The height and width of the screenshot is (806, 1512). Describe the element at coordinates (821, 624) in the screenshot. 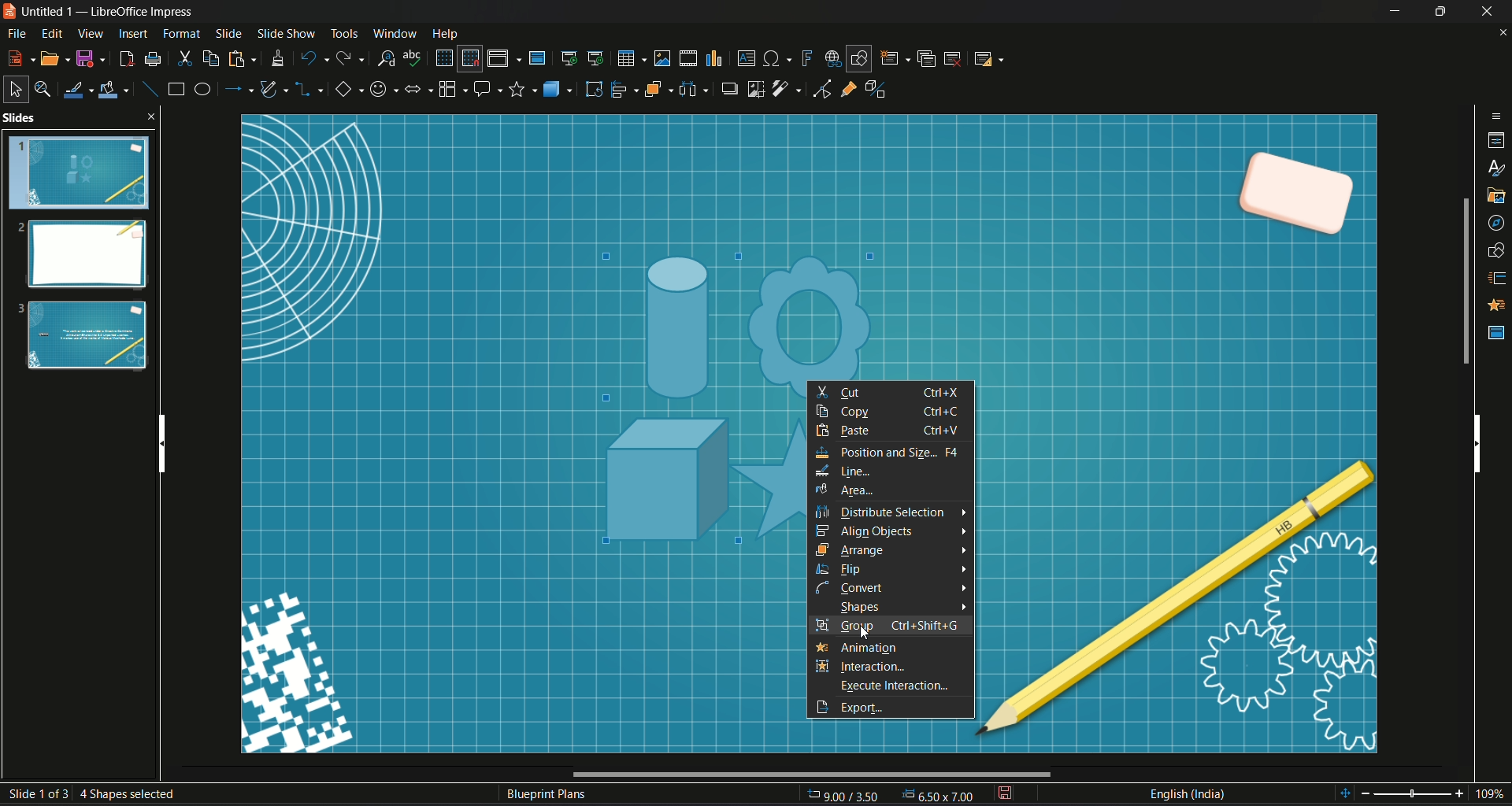

I see `group` at that location.